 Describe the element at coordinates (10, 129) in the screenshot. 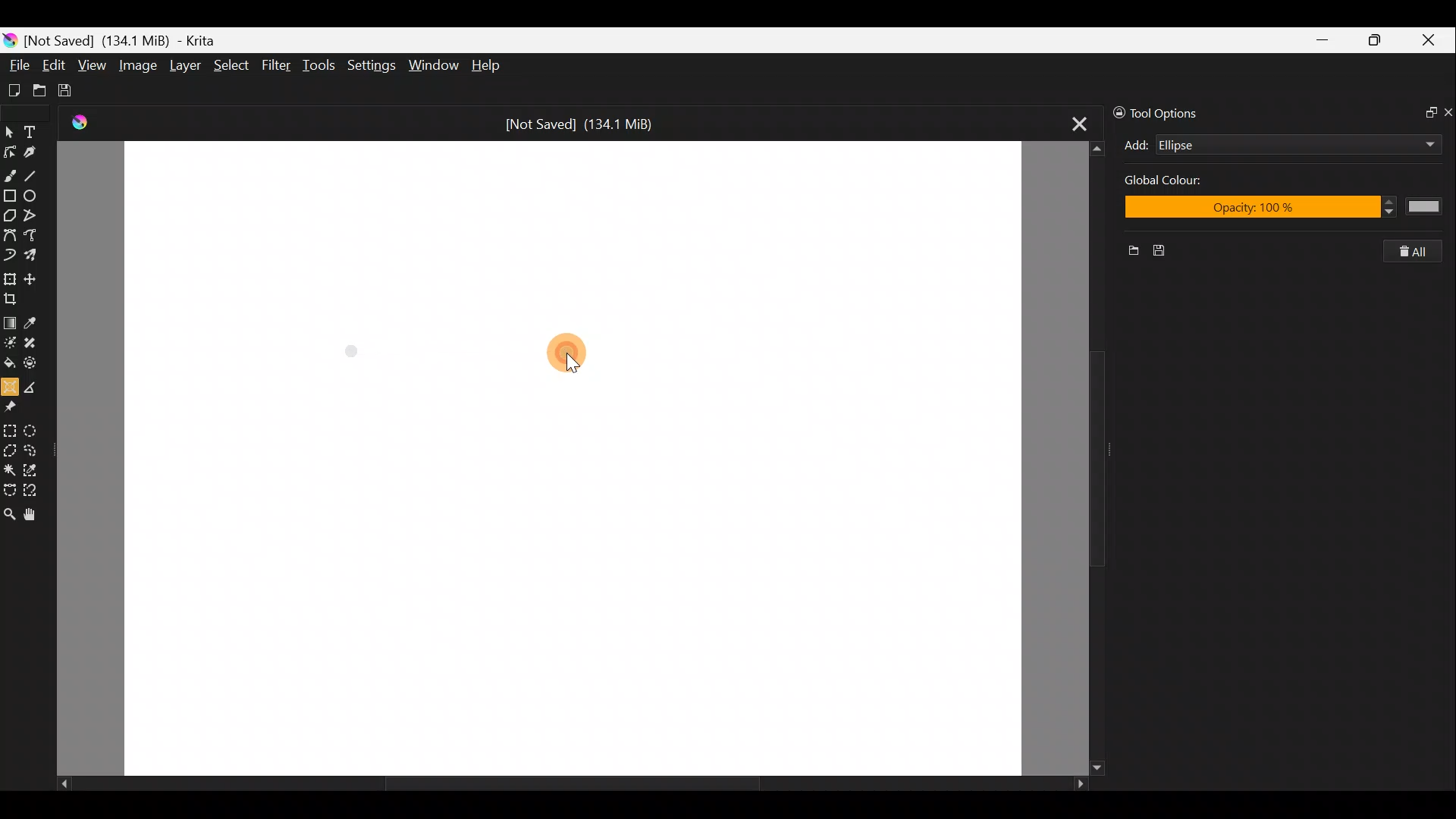

I see `Select shapes tool` at that location.